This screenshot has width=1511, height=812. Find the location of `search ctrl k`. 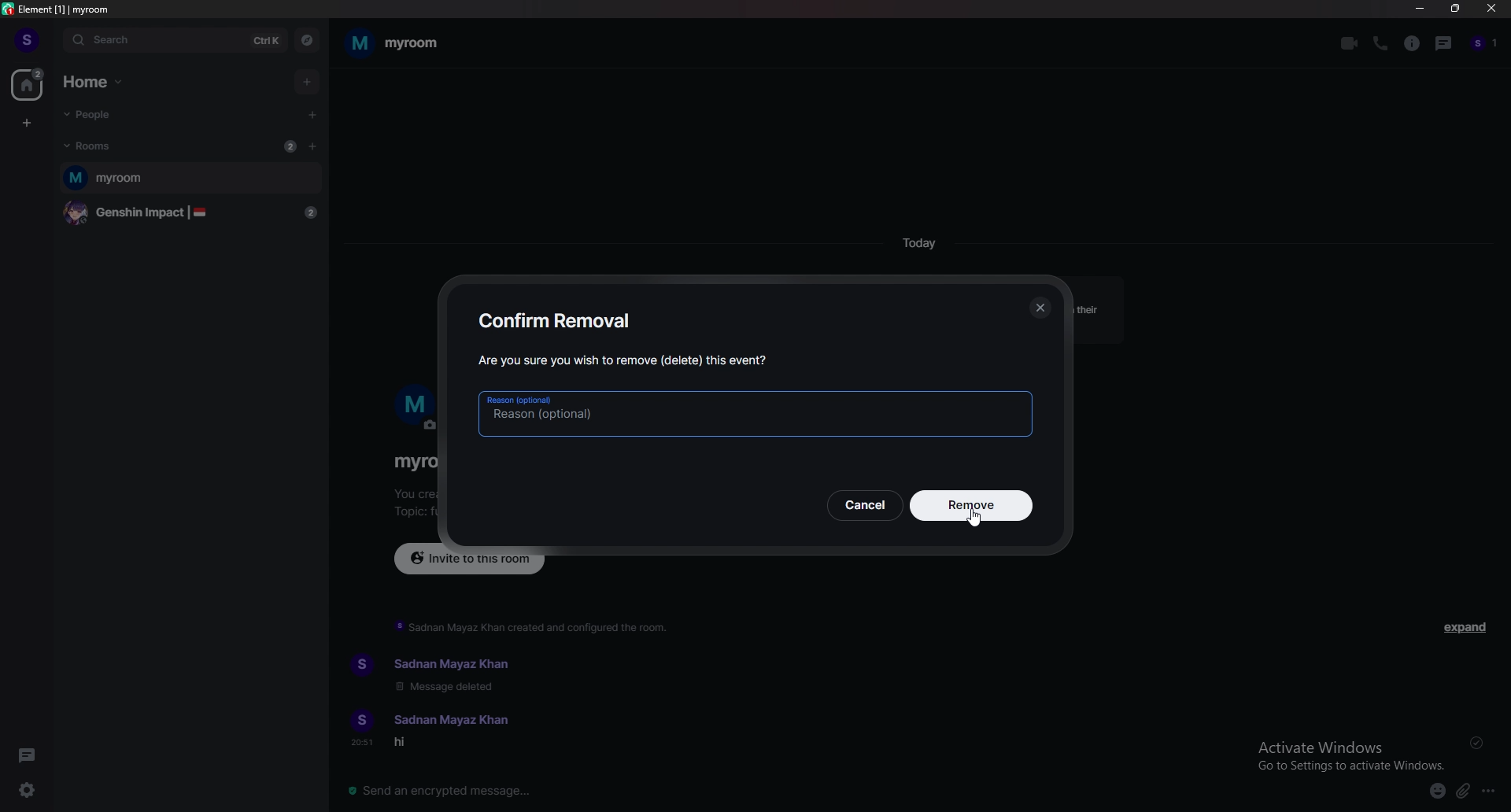

search ctrl k is located at coordinates (175, 40).